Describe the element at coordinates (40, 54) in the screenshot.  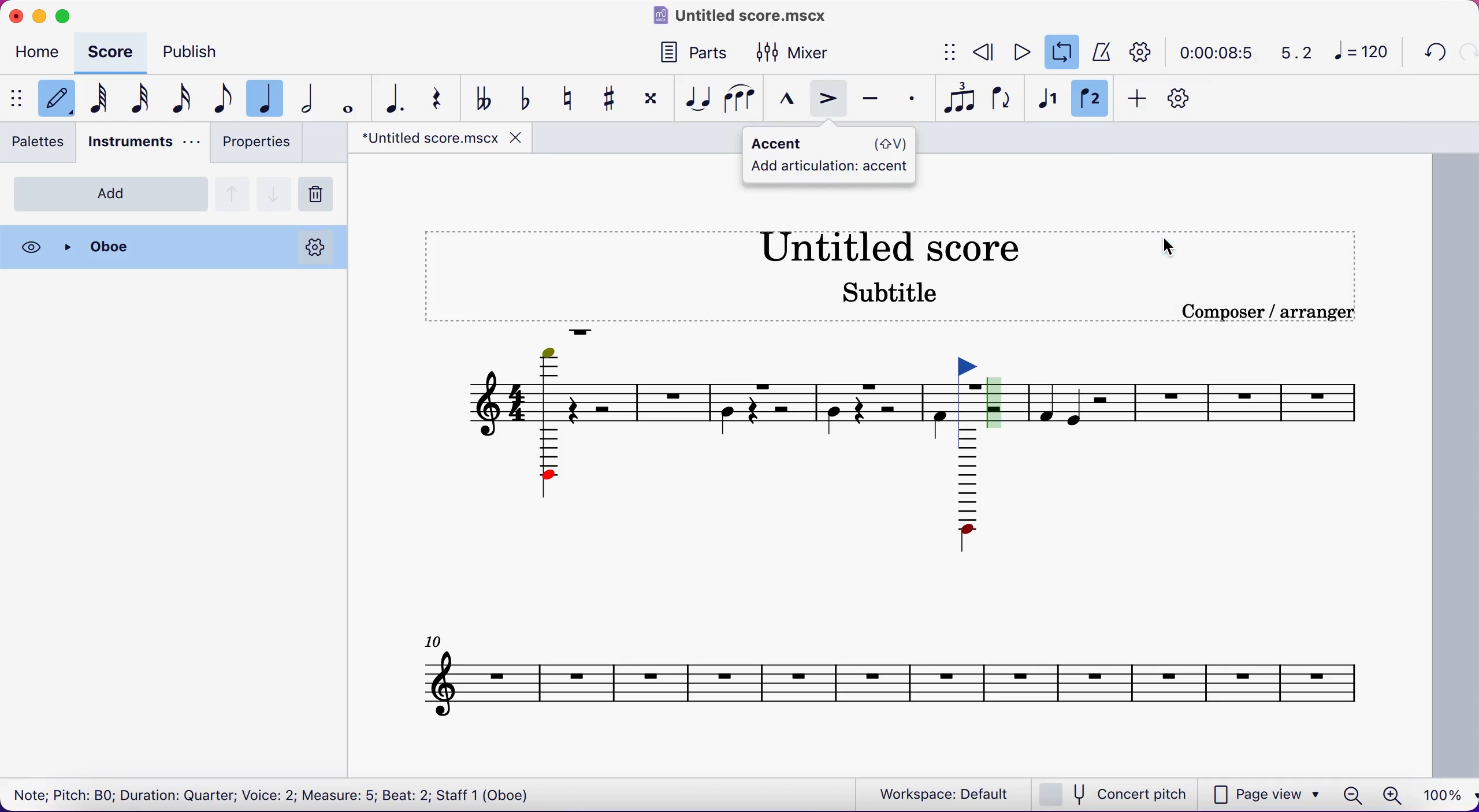
I see `home` at that location.